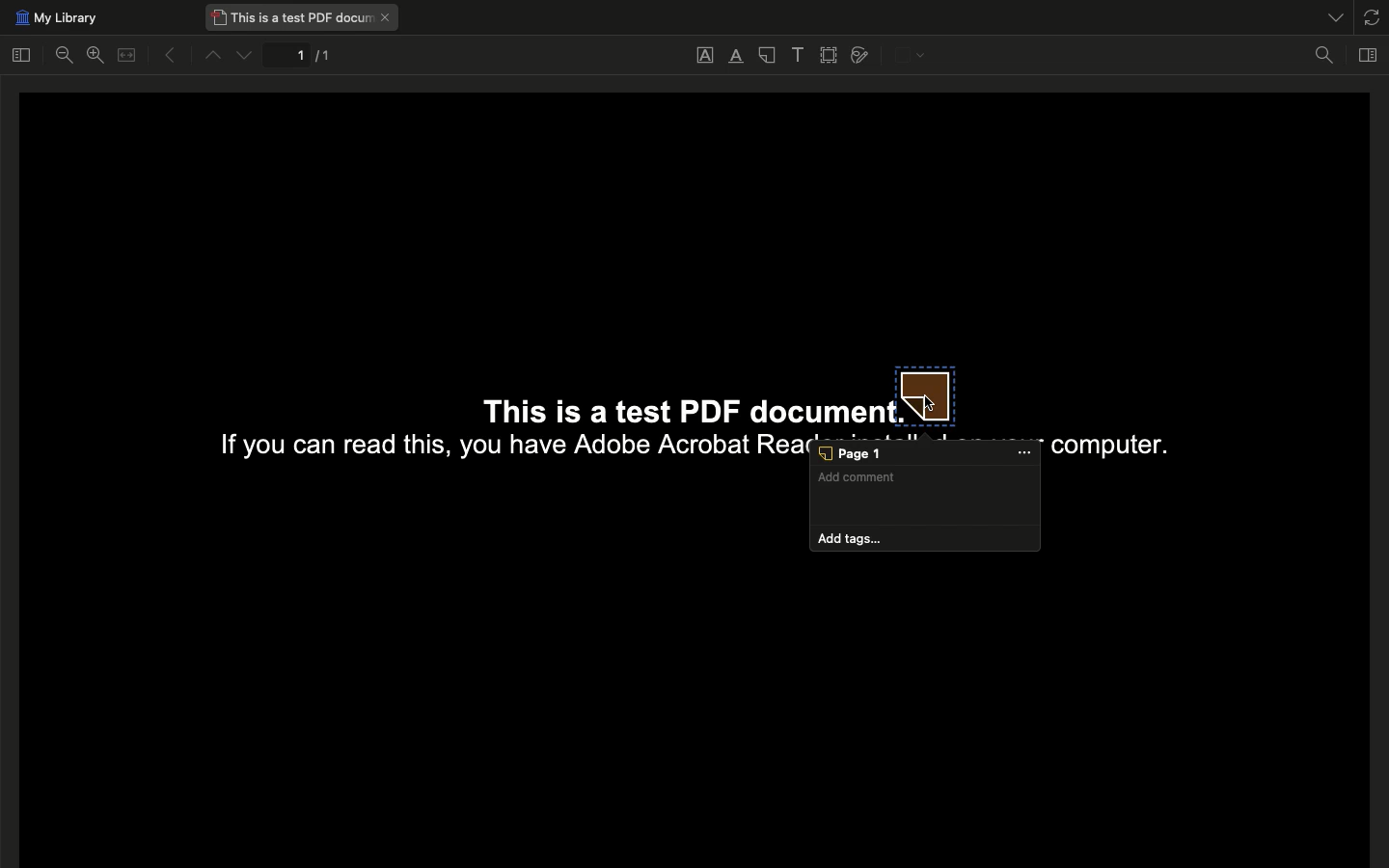 Image resolution: width=1389 pixels, height=868 pixels. Describe the element at coordinates (668, 403) in the screenshot. I see `This is a test PDF documen:` at that location.